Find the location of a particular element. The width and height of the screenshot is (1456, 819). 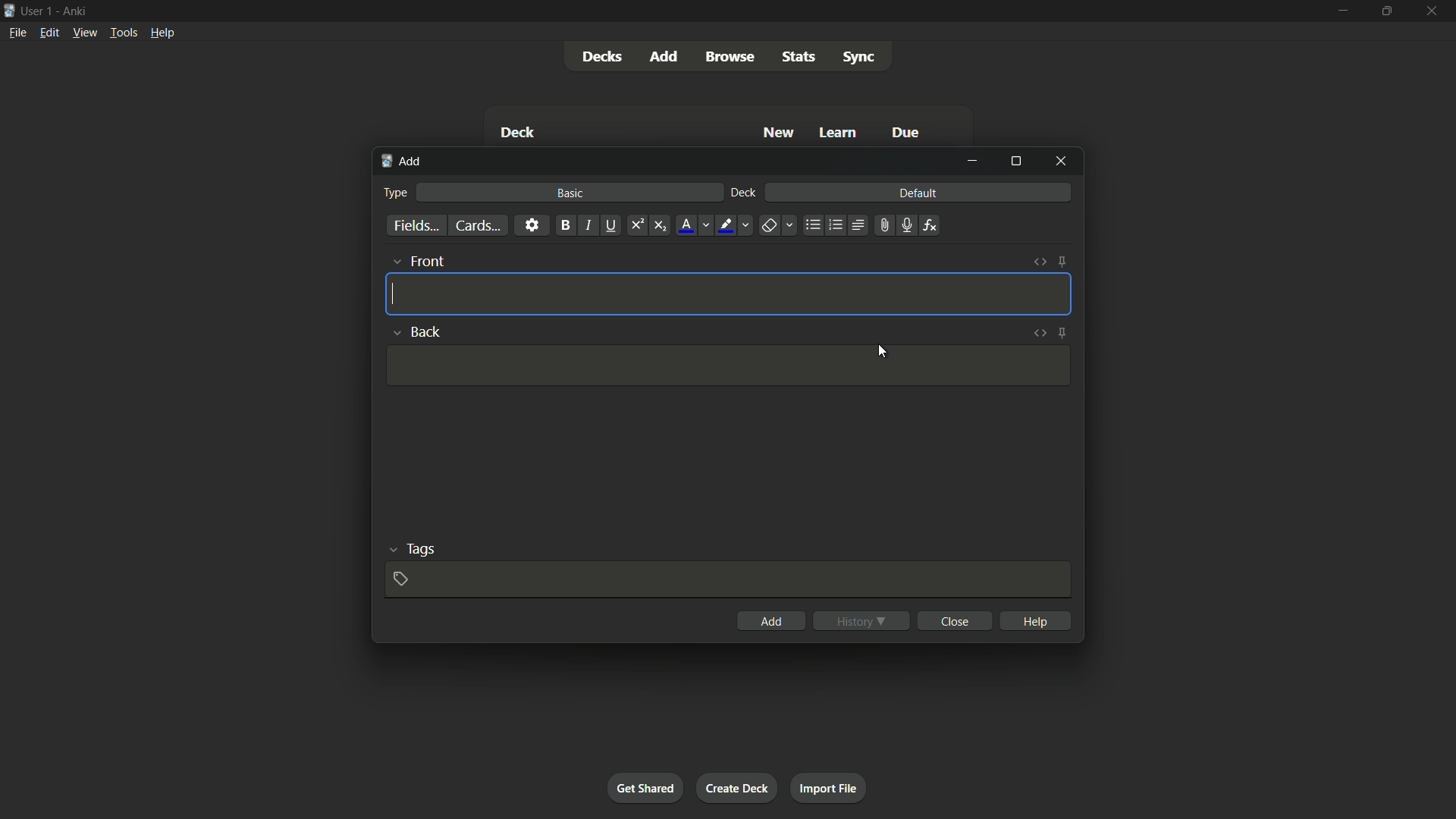

learn is located at coordinates (839, 132).